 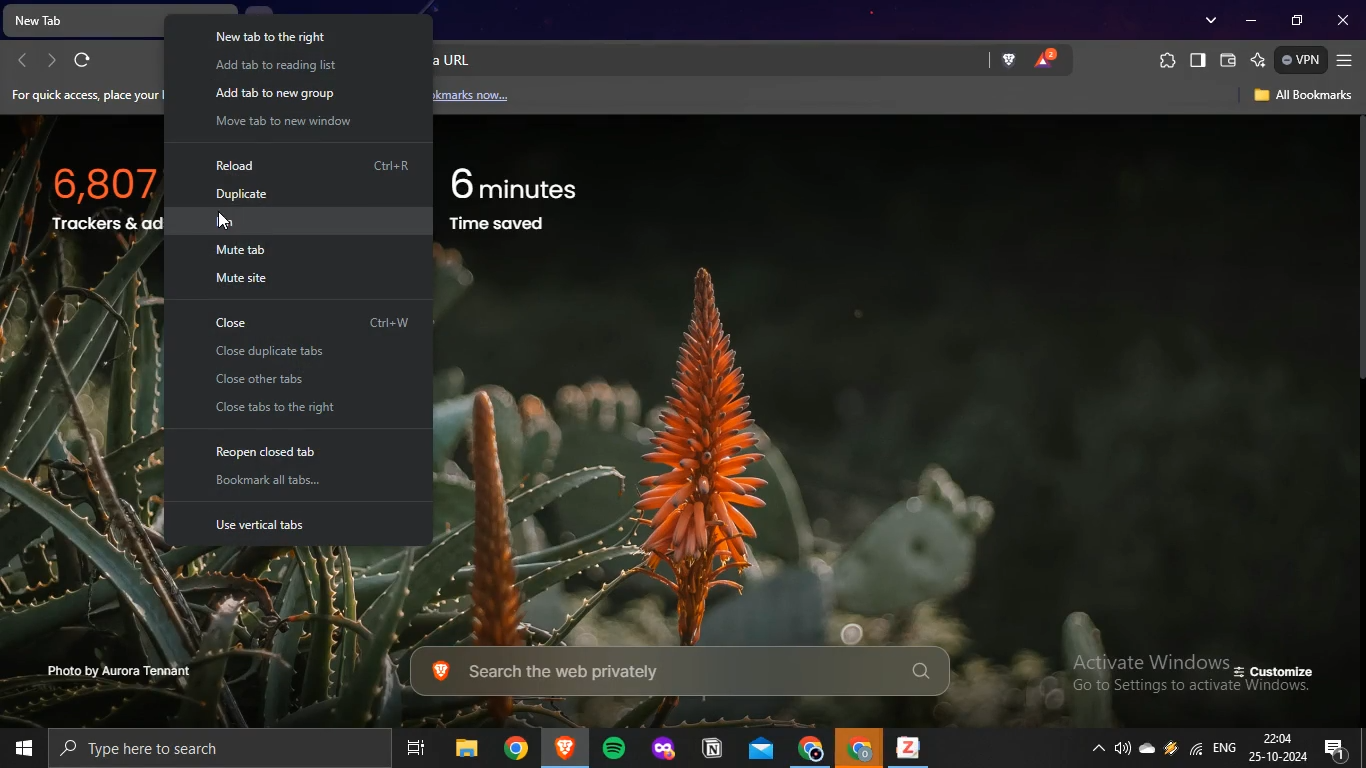 What do you see at coordinates (518, 749) in the screenshot?
I see `google chrome` at bounding box center [518, 749].